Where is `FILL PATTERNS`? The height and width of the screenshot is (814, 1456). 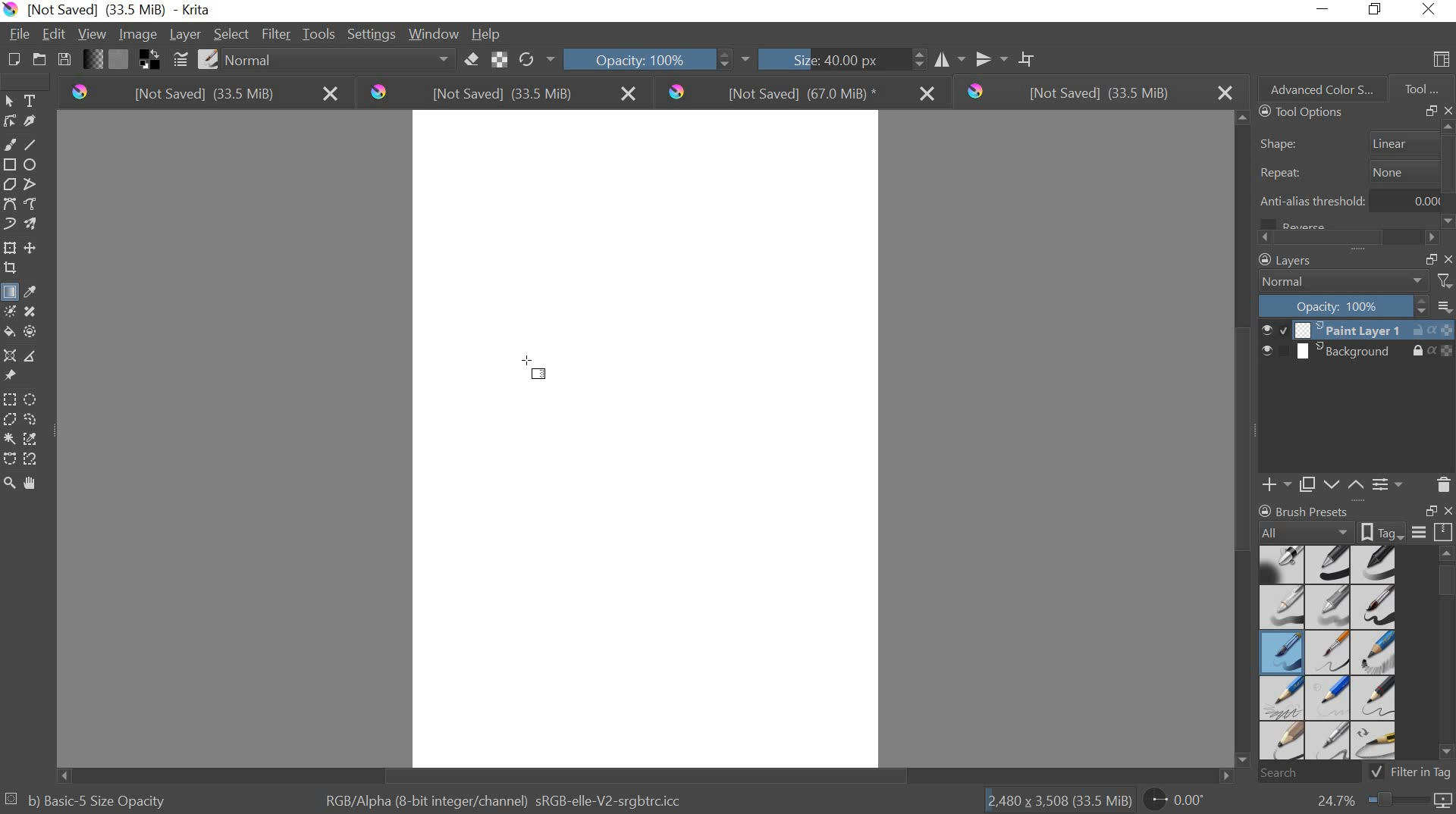 FILL PATTERNS is located at coordinates (122, 58).